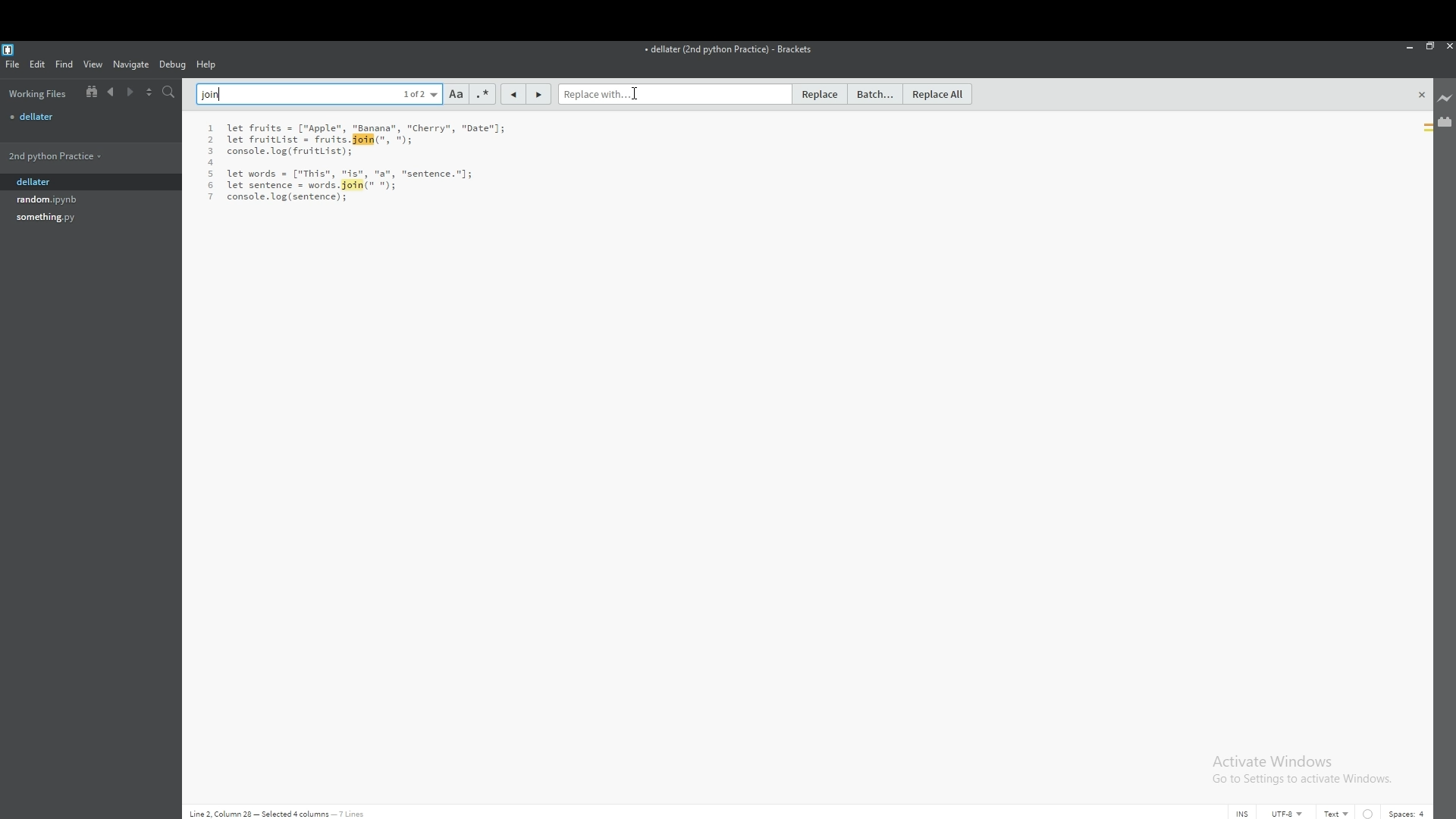  I want to click on search, so click(169, 92).